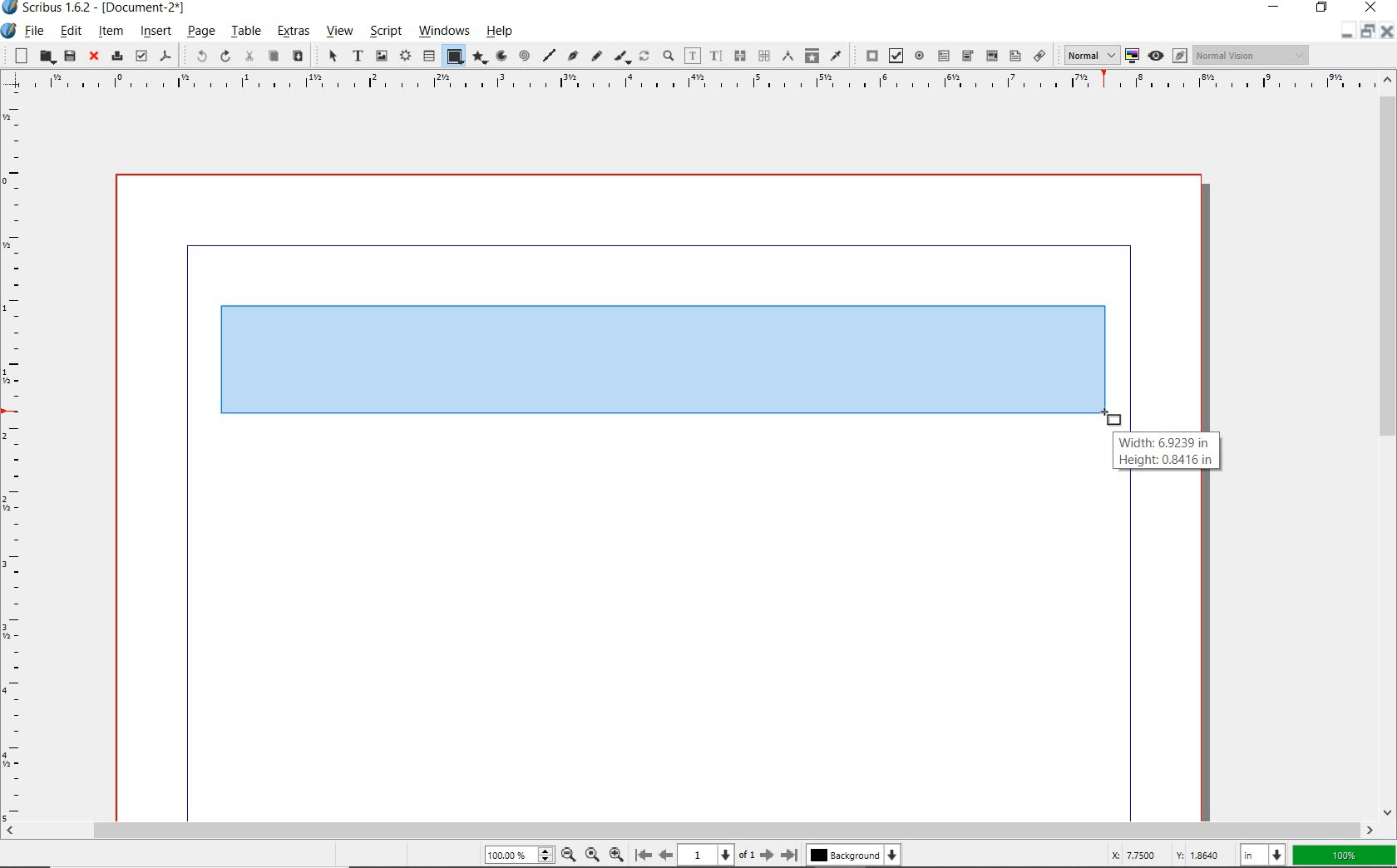 The image size is (1397, 868). What do you see at coordinates (1370, 8) in the screenshot?
I see `close` at bounding box center [1370, 8].